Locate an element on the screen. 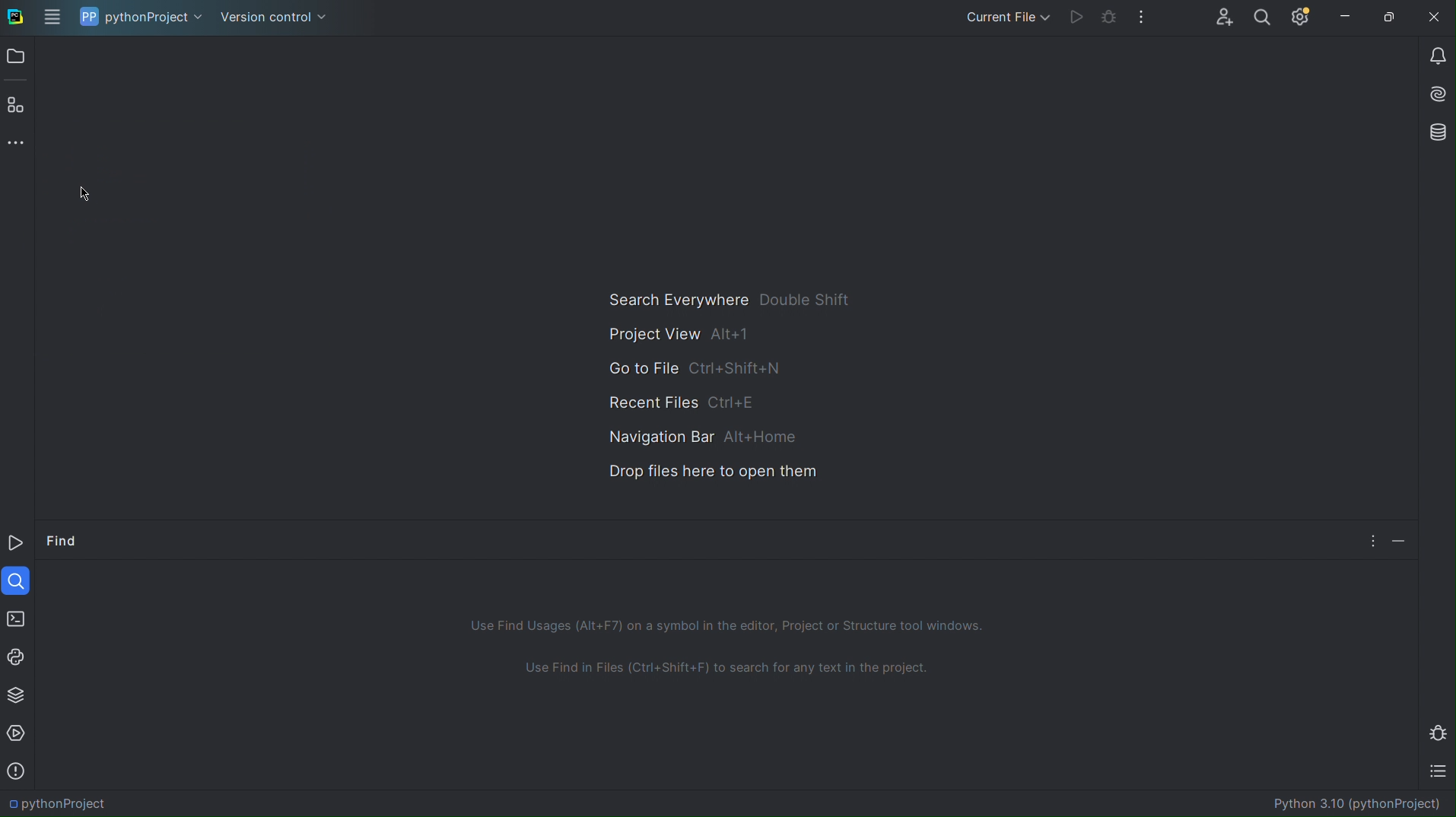 The width and height of the screenshot is (1456, 817). More is located at coordinates (14, 140).